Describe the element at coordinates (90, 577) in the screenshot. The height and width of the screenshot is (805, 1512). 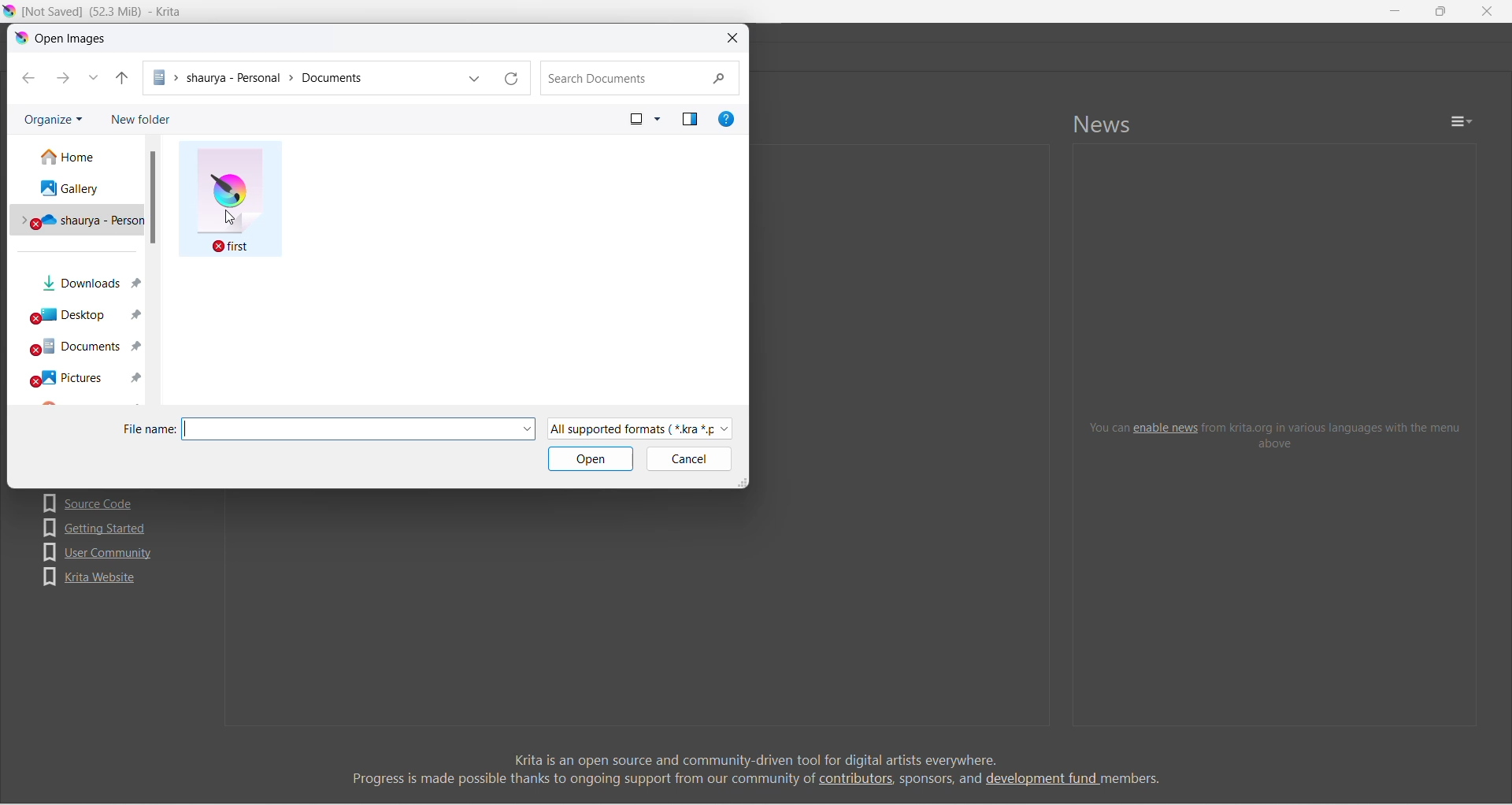
I see `krita website` at that location.